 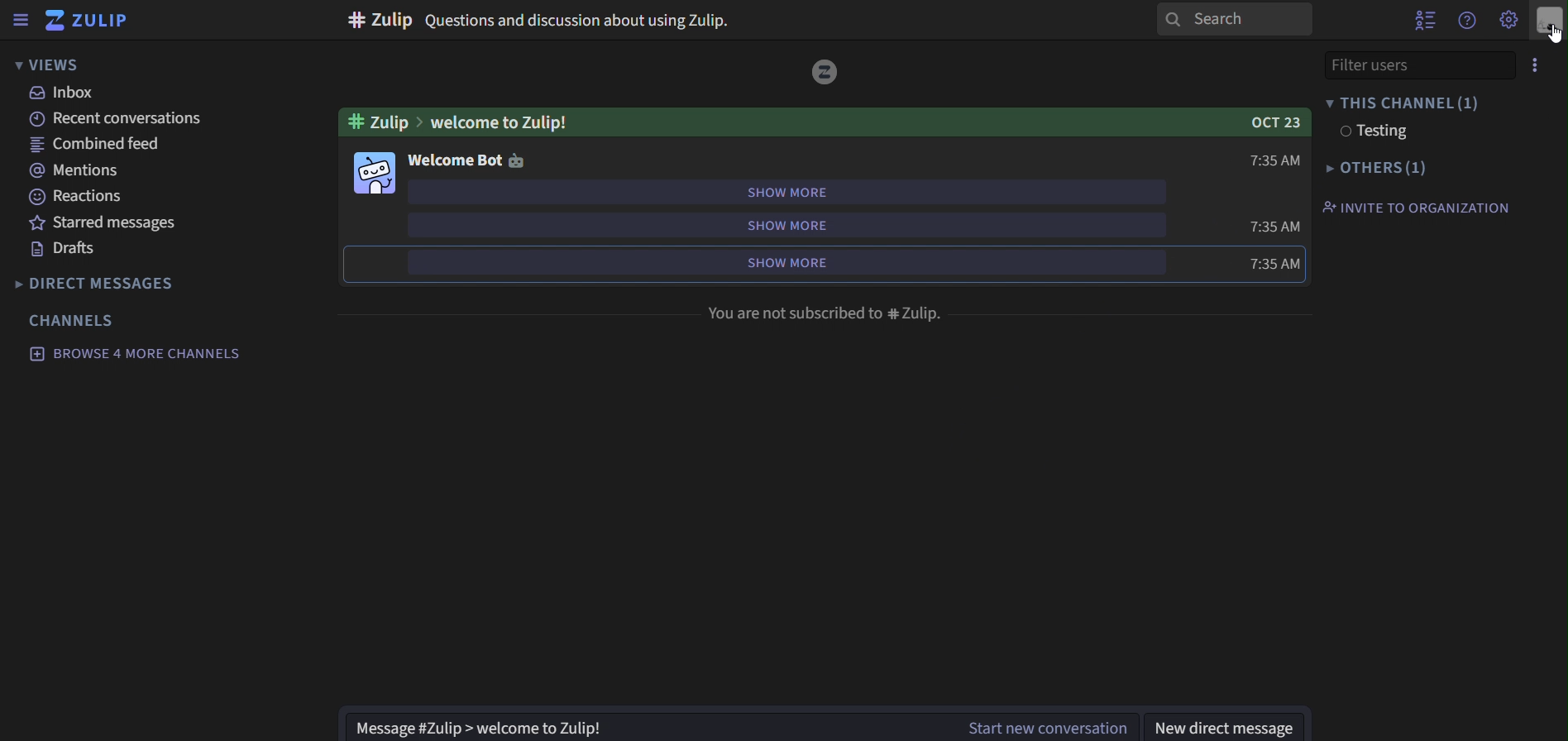 I want to click on inbox, so click(x=65, y=93).